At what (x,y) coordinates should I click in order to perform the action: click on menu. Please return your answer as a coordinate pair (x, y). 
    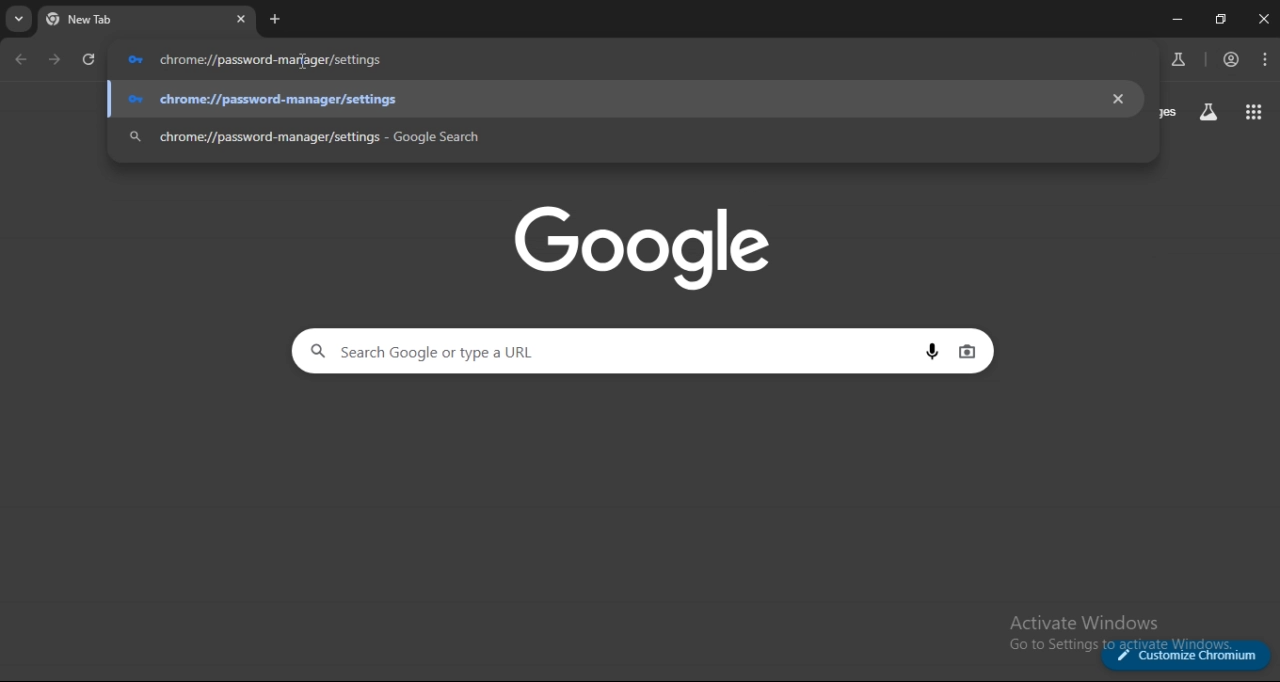
    Looking at the image, I should click on (1267, 58).